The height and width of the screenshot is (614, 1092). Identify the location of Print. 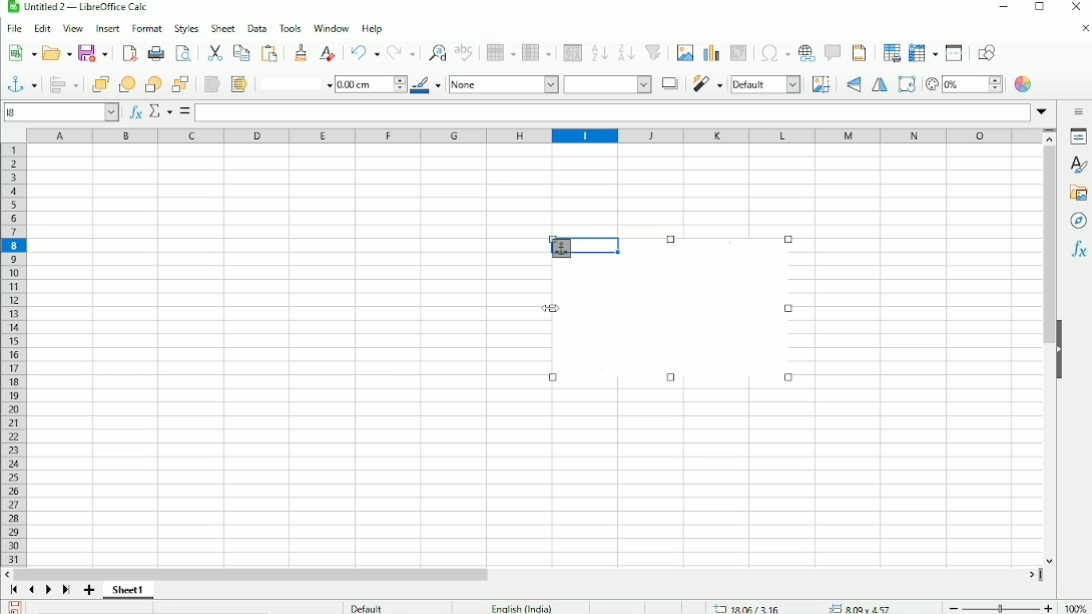
(154, 54).